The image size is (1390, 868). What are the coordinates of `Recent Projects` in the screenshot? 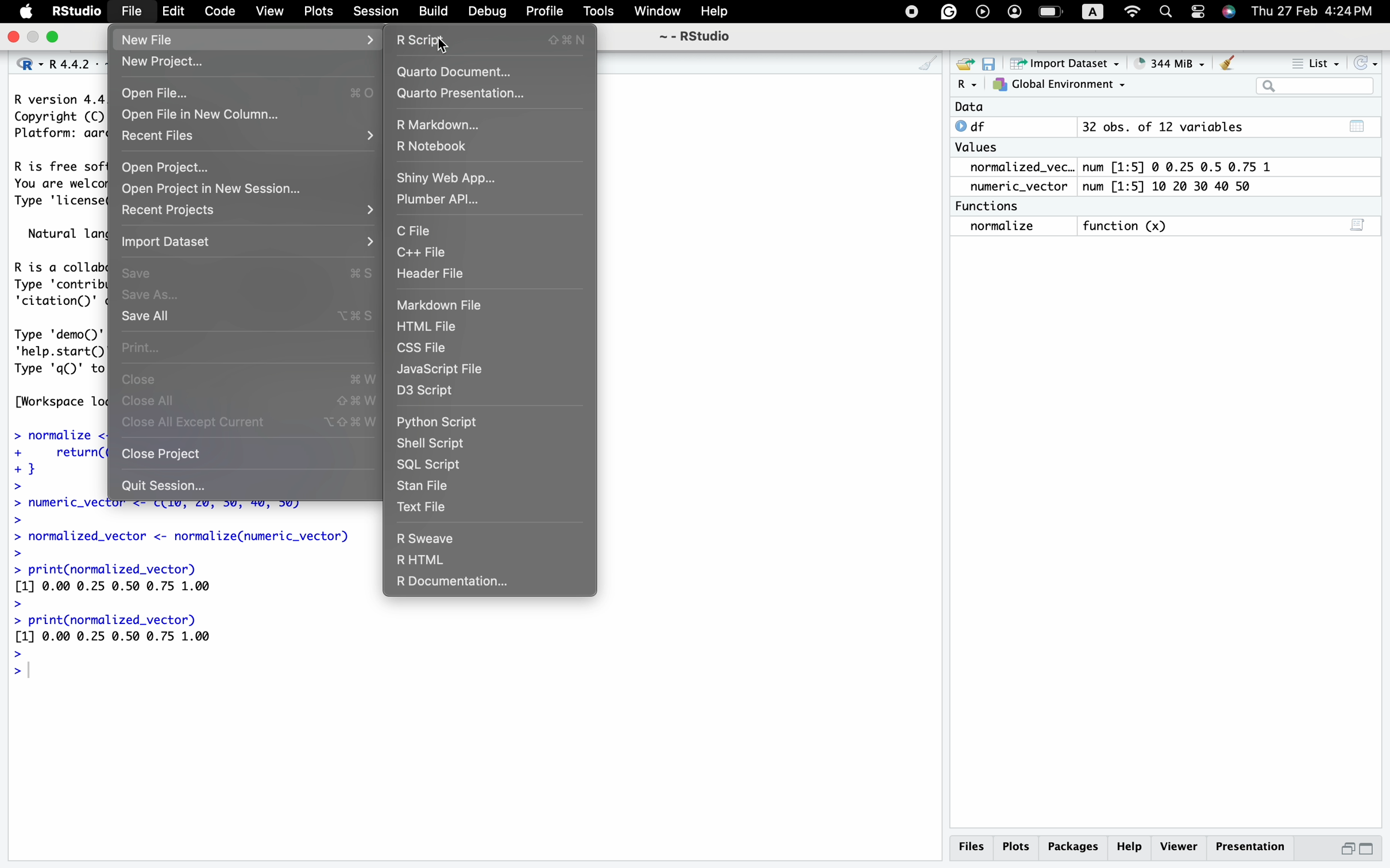 It's located at (168, 211).